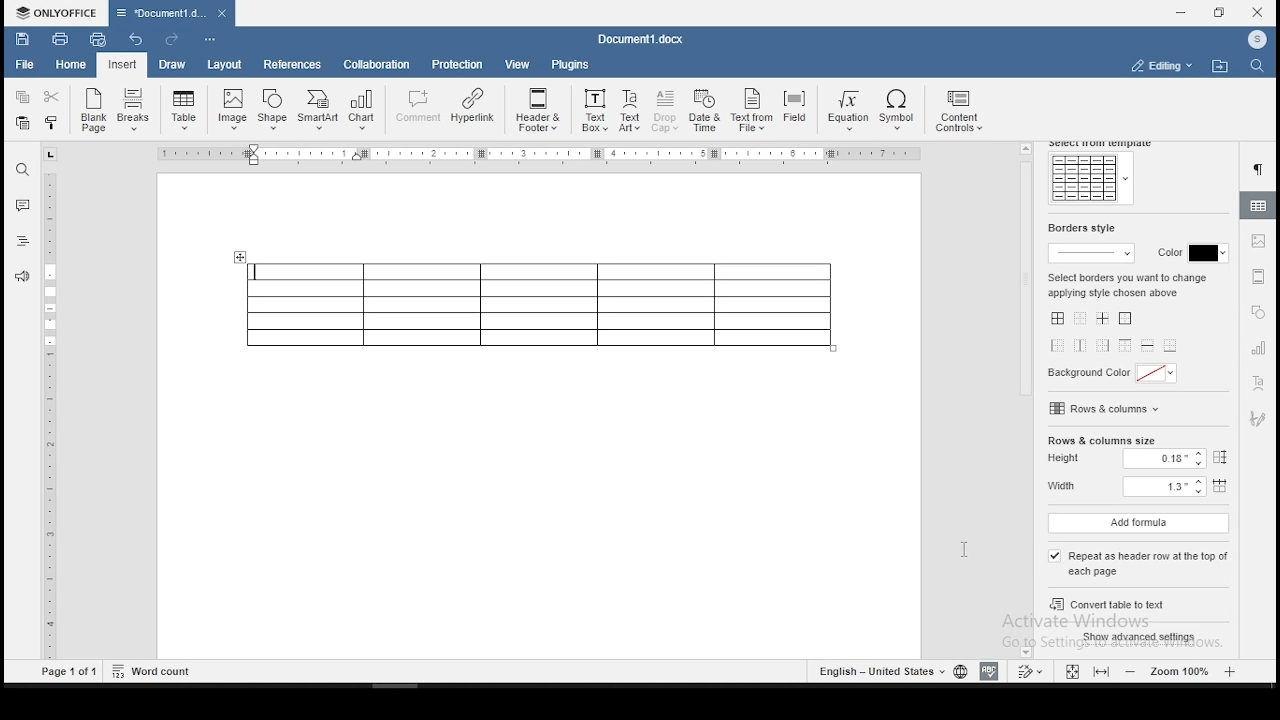 Image resolution: width=1280 pixels, height=720 pixels. Describe the element at coordinates (1105, 319) in the screenshot. I see `inner lines only` at that location.